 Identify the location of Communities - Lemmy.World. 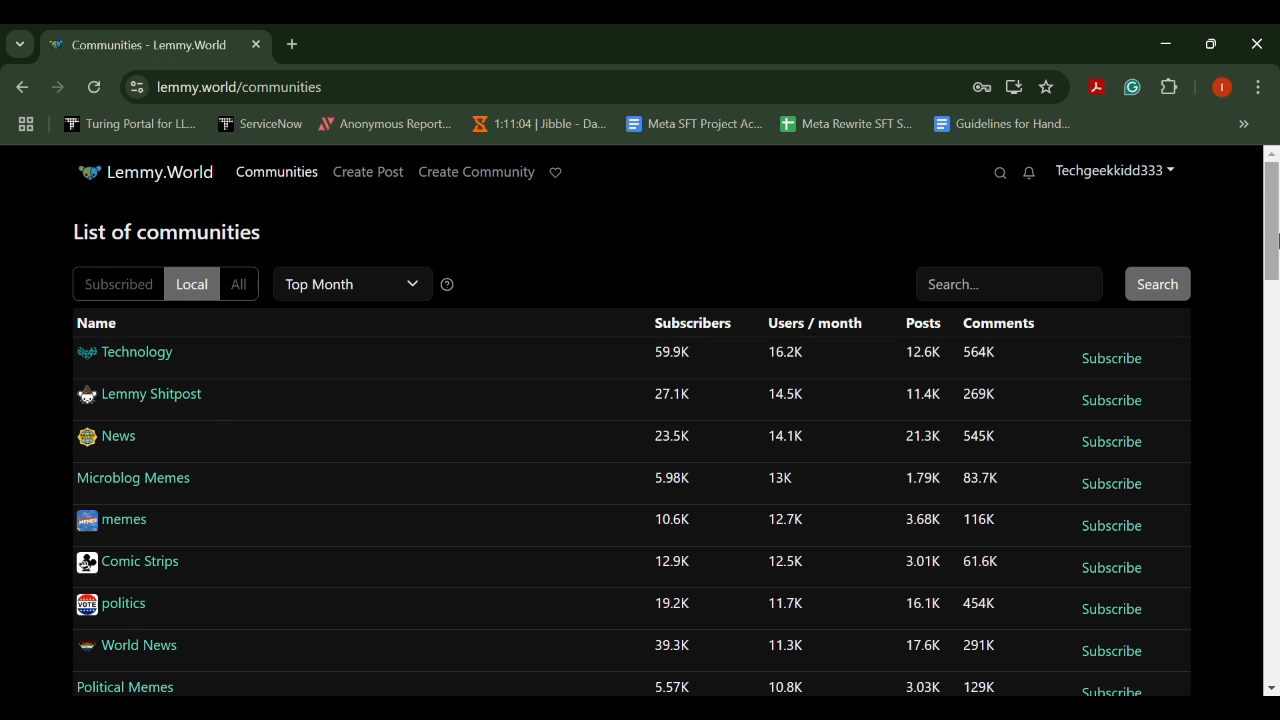
(138, 46).